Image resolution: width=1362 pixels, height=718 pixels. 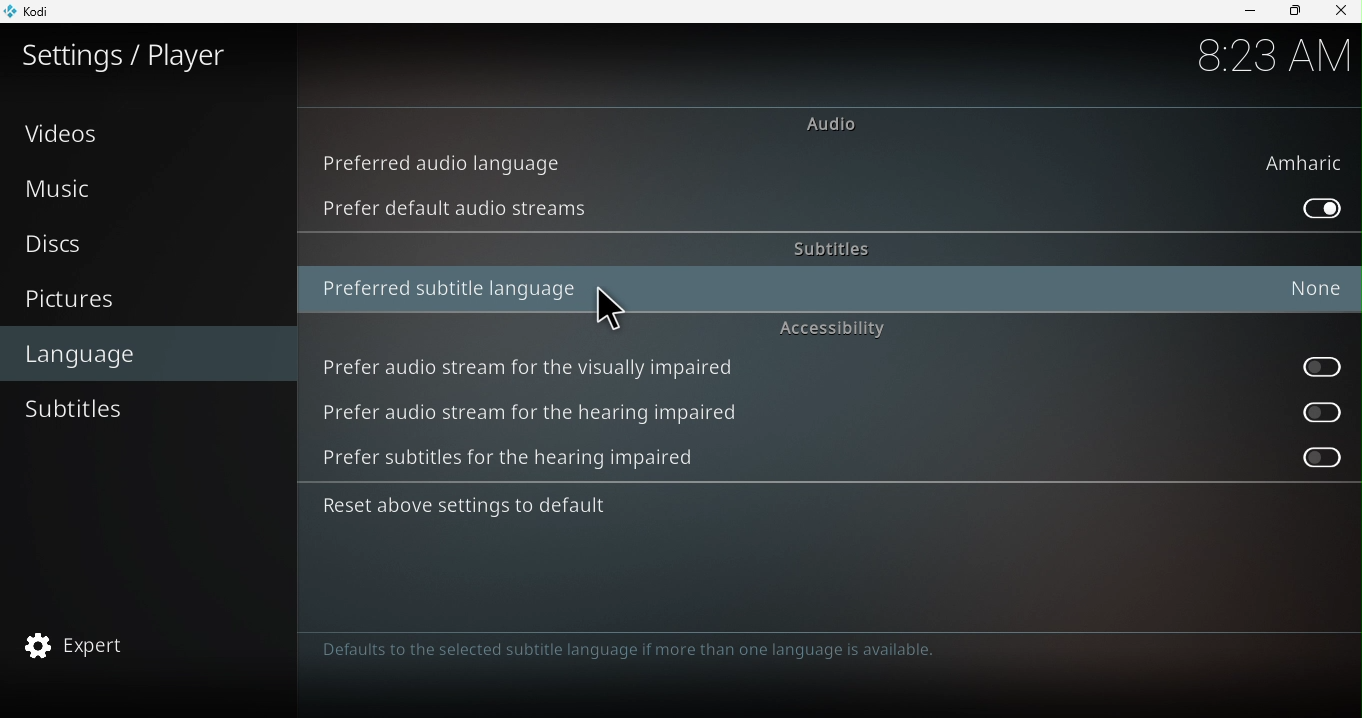 I want to click on Preferred subtitle language : None, so click(x=824, y=288).